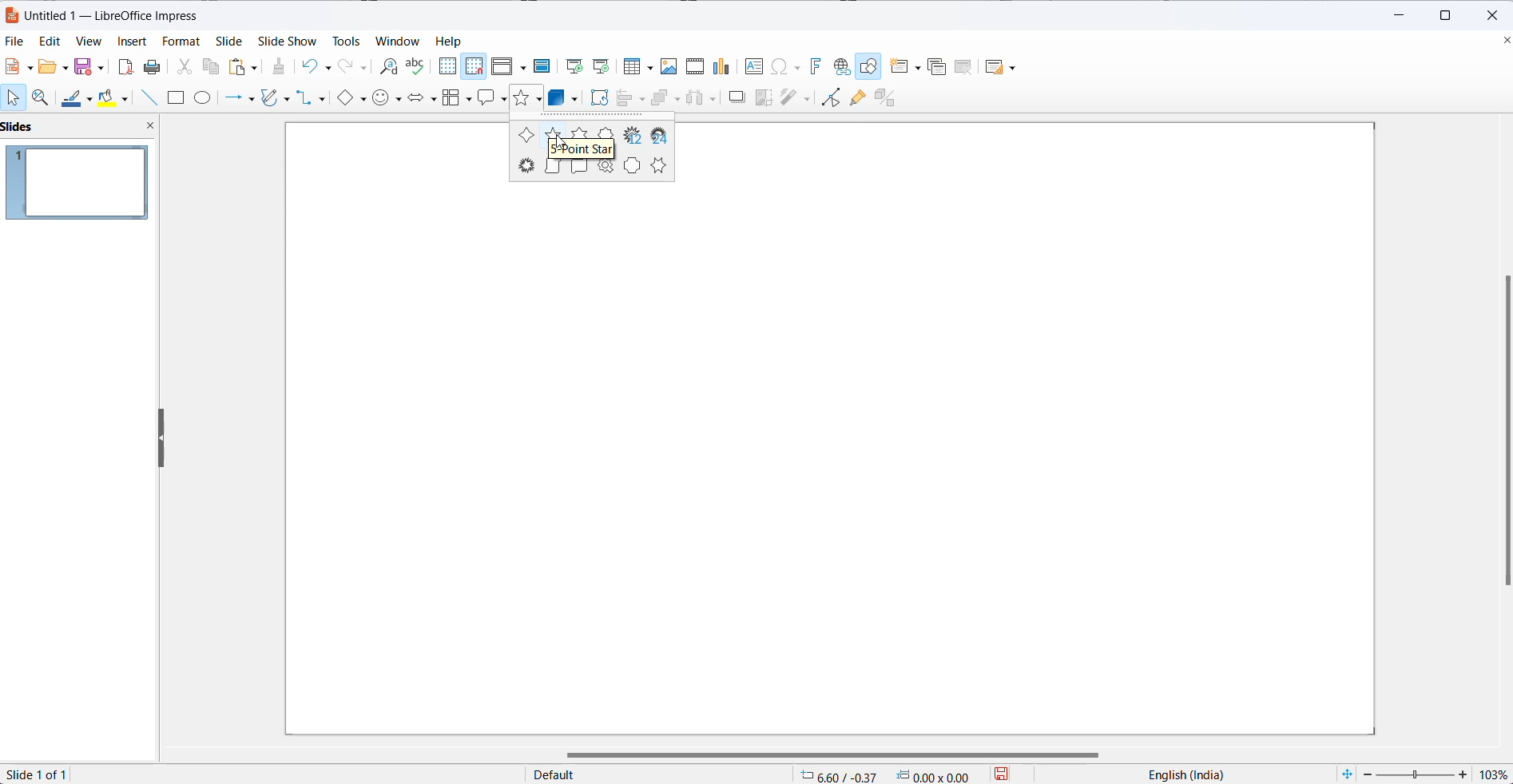 This screenshot has height=784, width=1513. I want to click on horizontal scroll, so click(580, 171).